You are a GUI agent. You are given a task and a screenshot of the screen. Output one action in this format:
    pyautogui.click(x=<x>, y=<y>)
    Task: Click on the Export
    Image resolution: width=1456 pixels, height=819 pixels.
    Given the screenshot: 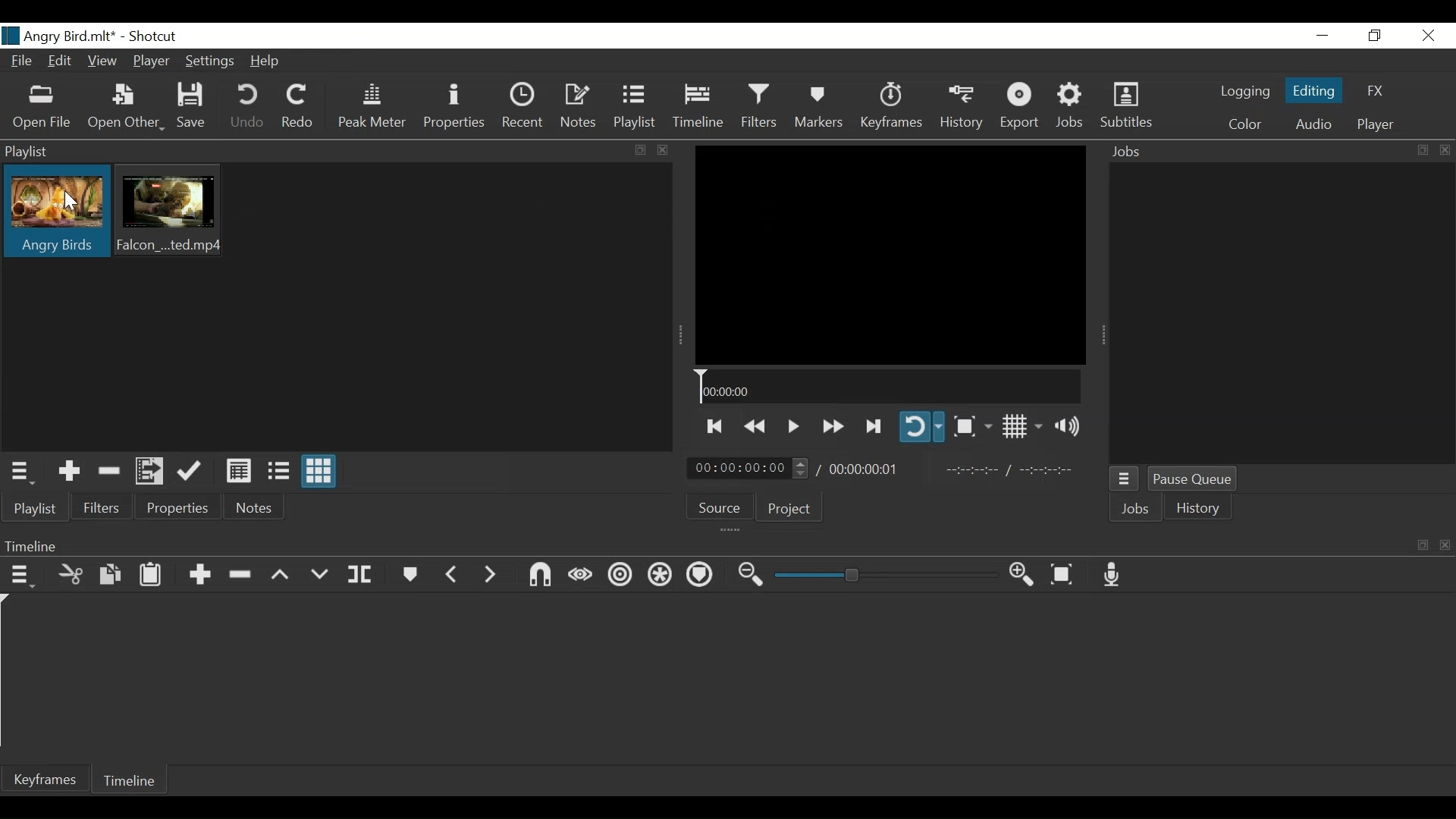 What is the action you would take?
    pyautogui.click(x=1023, y=108)
    